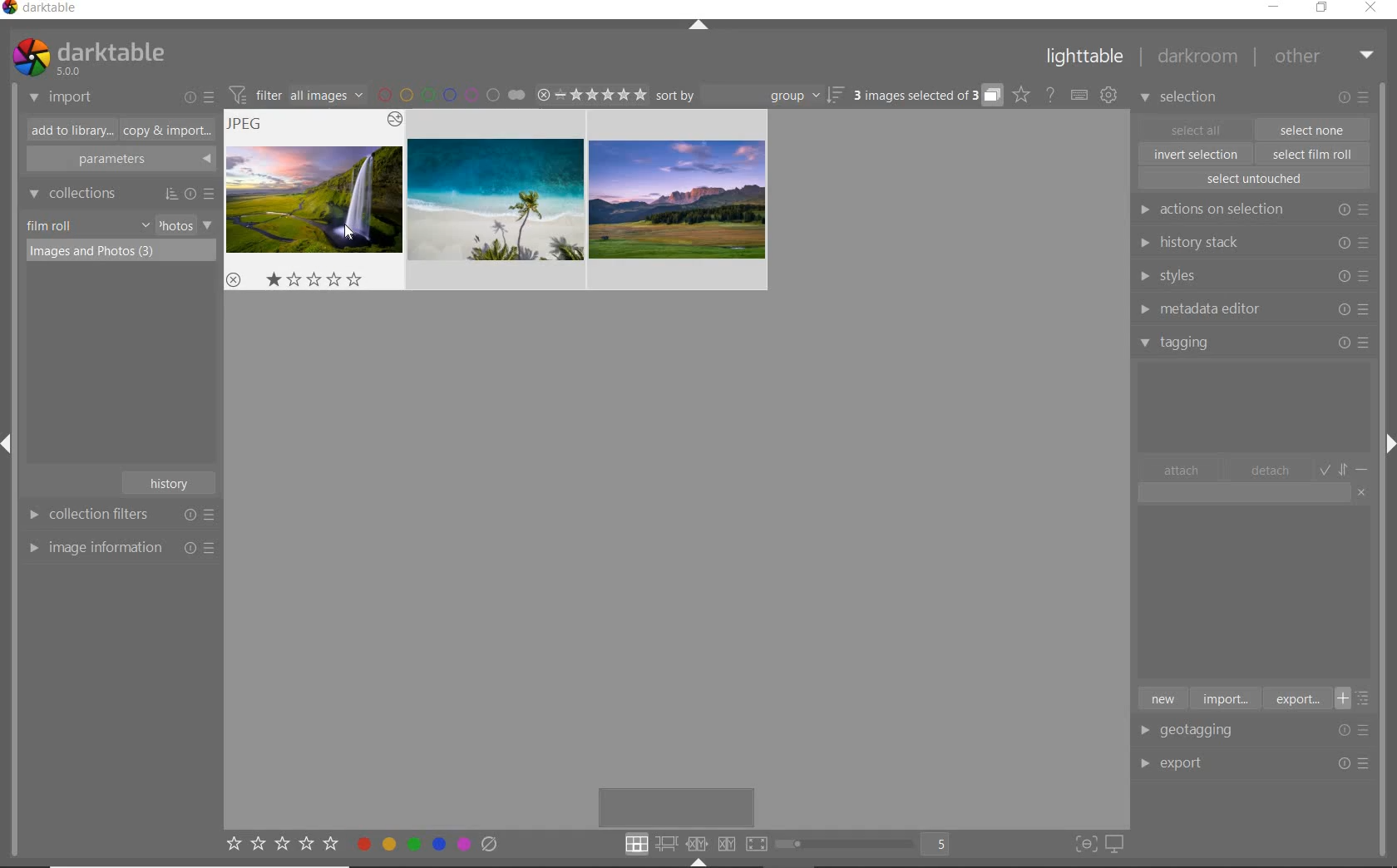  Describe the element at coordinates (1362, 491) in the screenshot. I see `clear entry` at that location.